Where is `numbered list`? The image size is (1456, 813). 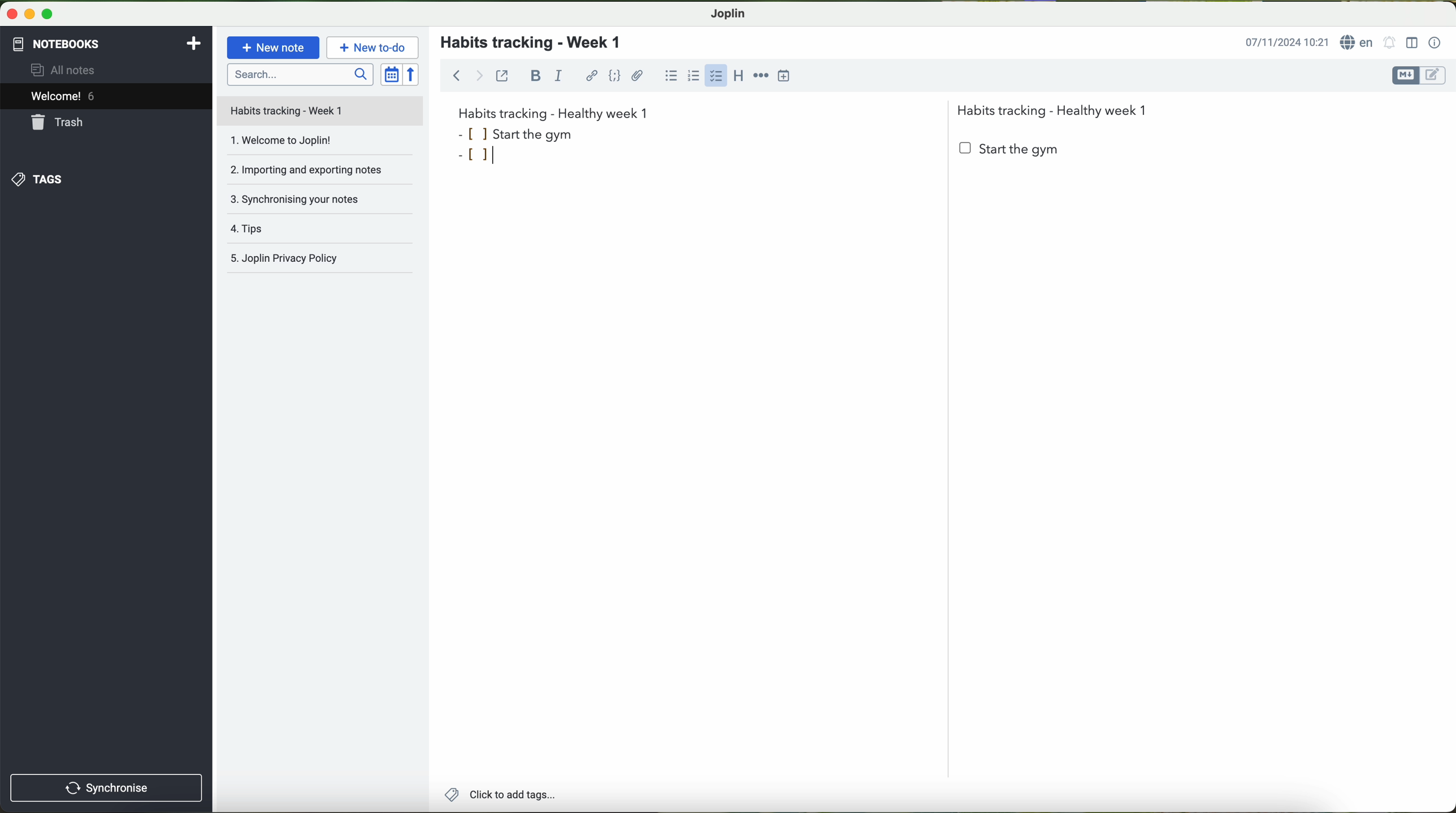 numbered list is located at coordinates (695, 75).